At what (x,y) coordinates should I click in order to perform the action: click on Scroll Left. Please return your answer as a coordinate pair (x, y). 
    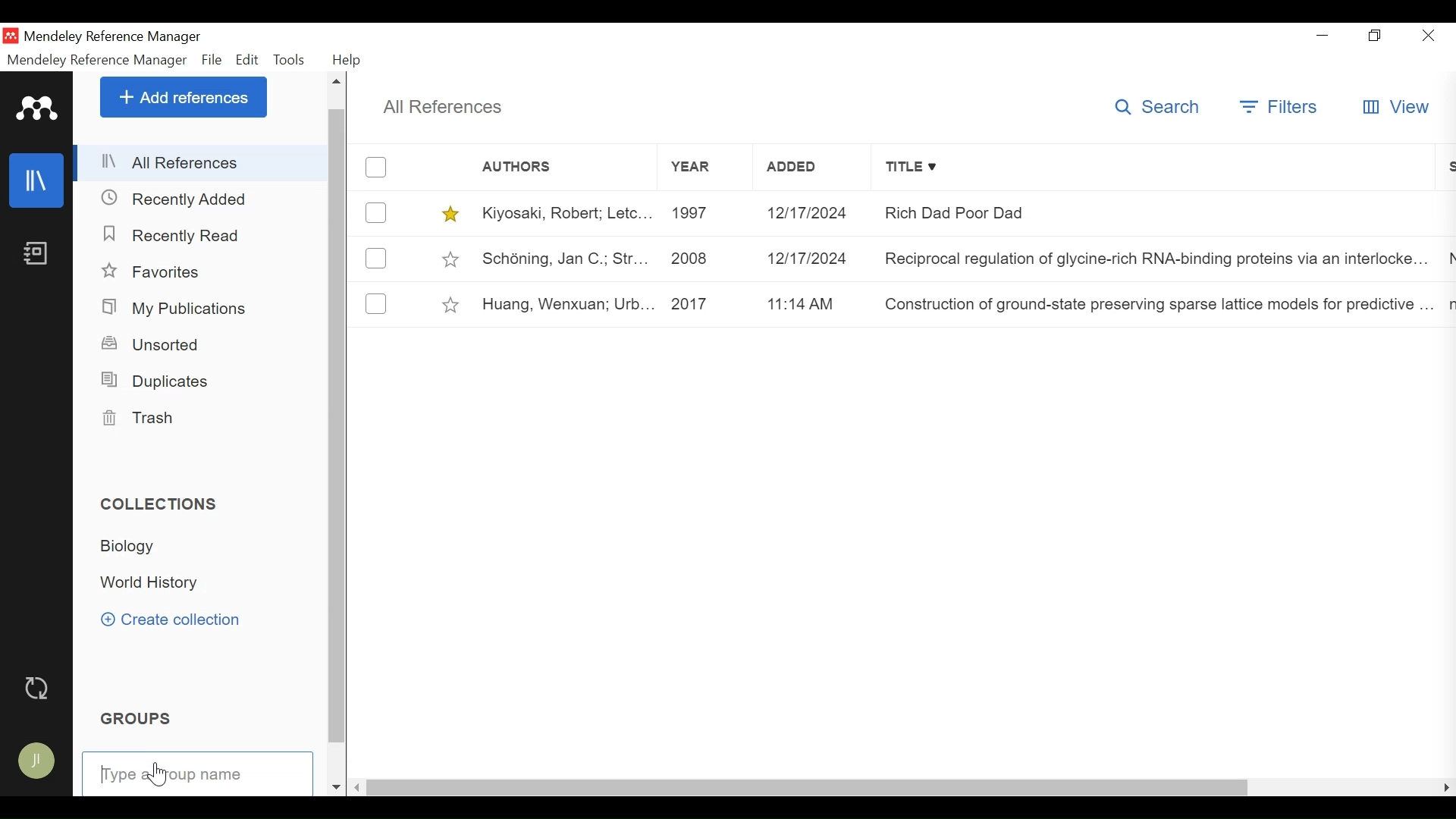
    Looking at the image, I should click on (1447, 788).